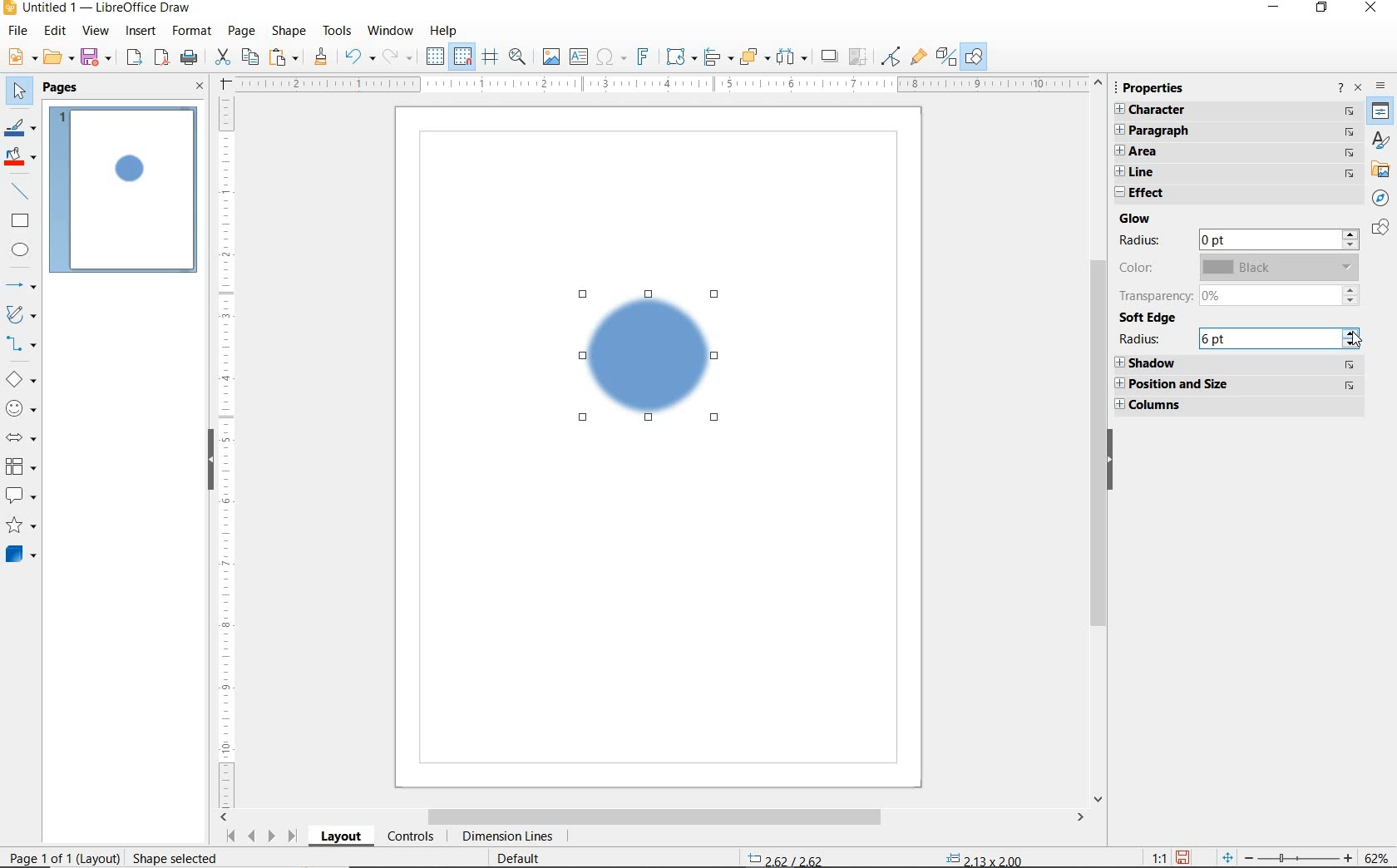 The height and width of the screenshot is (868, 1397). Describe the element at coordinates (23, 57) in the screenshot. I see `NEW` at that location.